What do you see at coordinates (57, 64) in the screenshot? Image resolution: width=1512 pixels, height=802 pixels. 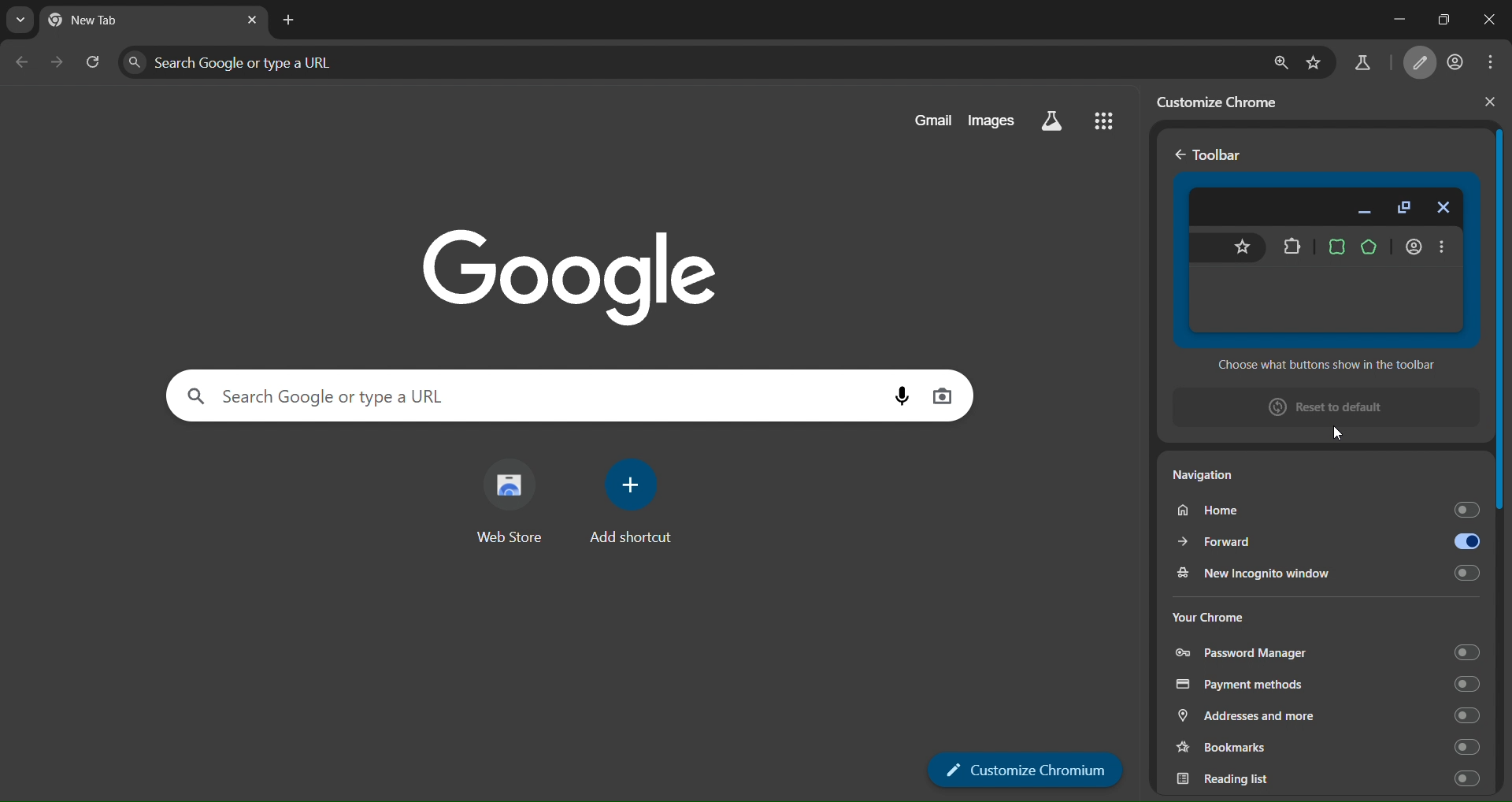 I see `go forward one page` at bounding box center [57, 64].